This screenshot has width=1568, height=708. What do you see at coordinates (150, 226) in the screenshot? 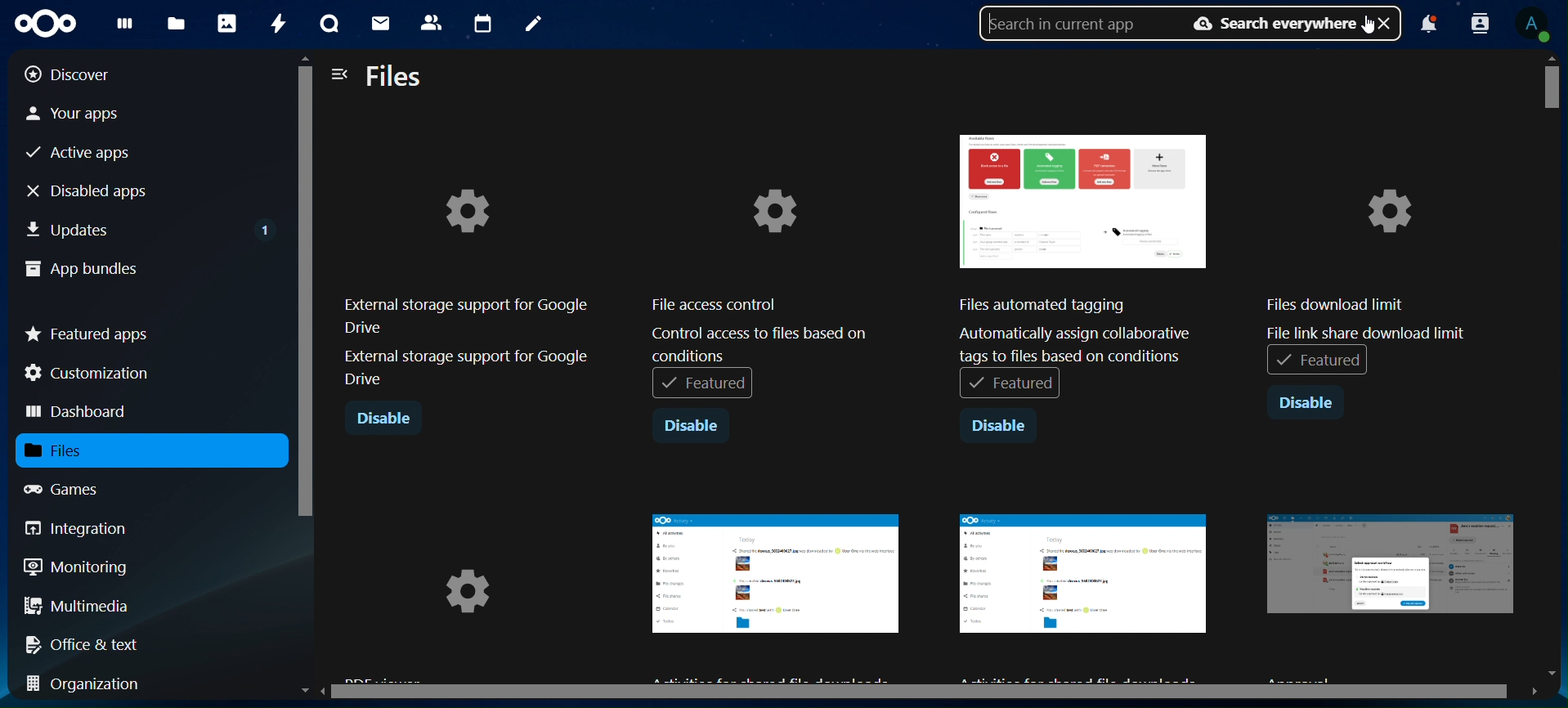
I see `updates` at bounding box center [150, 226].